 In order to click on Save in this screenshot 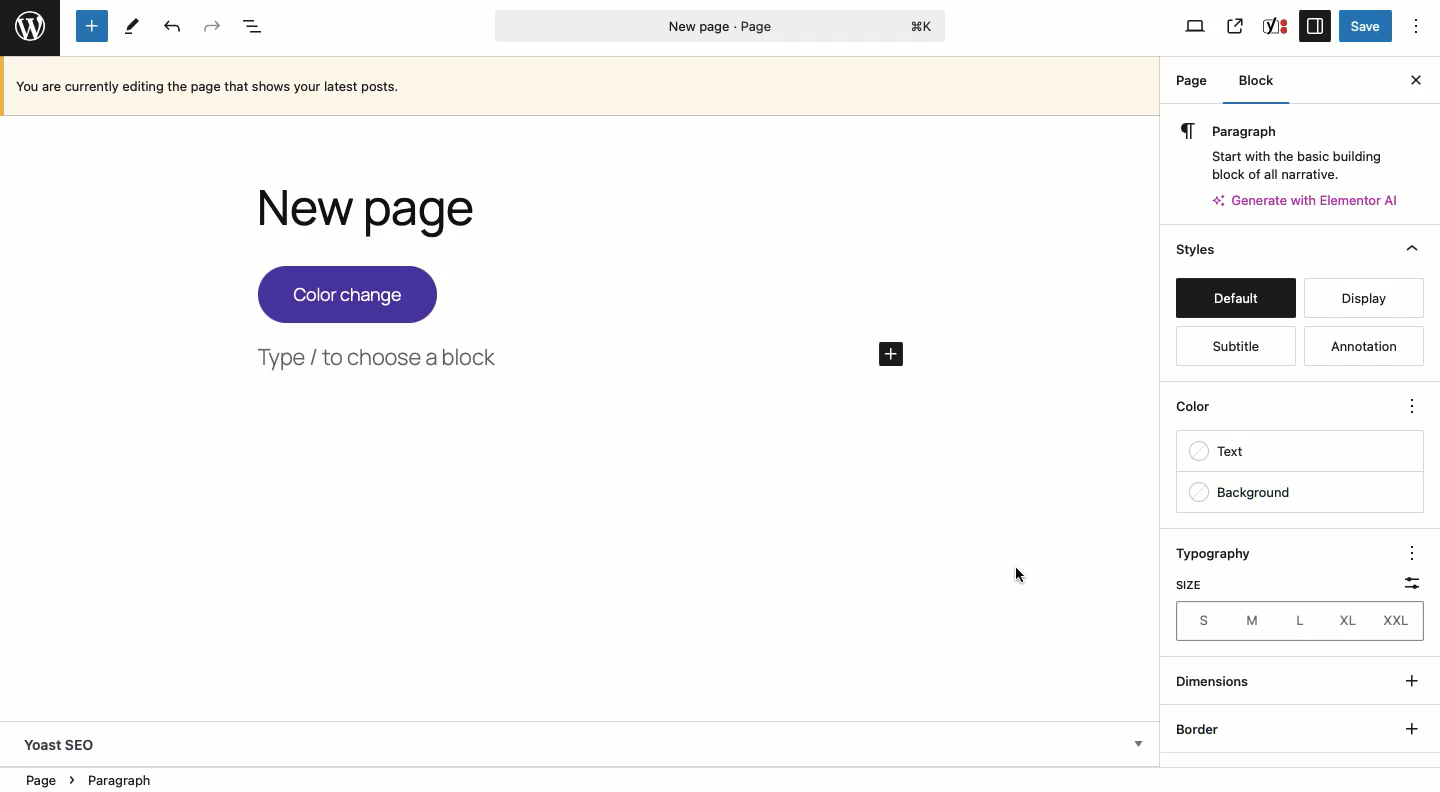, I will do `click(1367, 27)`.